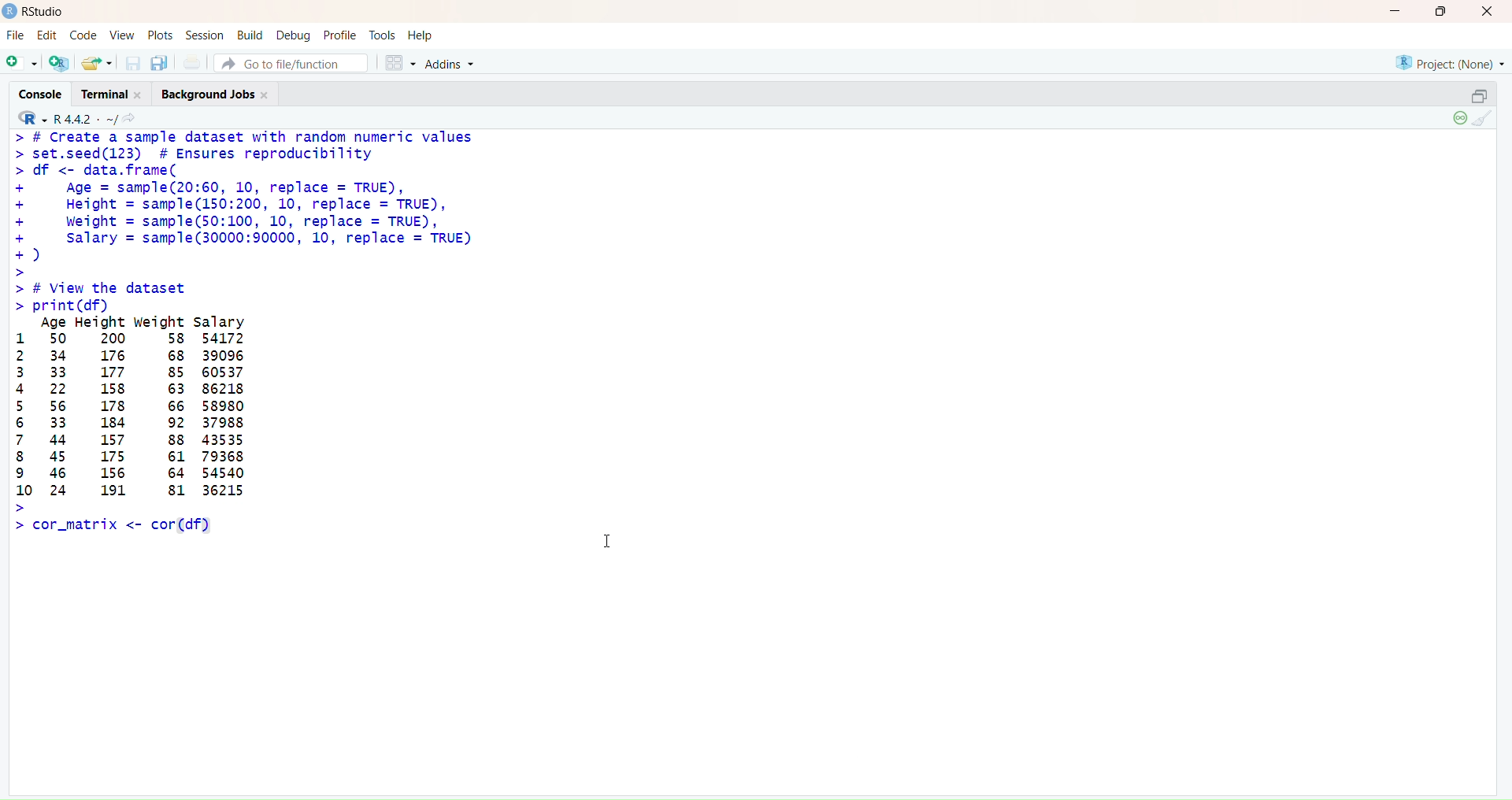 The height and width of the screenshot is (800, 1512). Describe the element at coordinates (135, 118) in the screenshot. I see `Show in new window` at that location.